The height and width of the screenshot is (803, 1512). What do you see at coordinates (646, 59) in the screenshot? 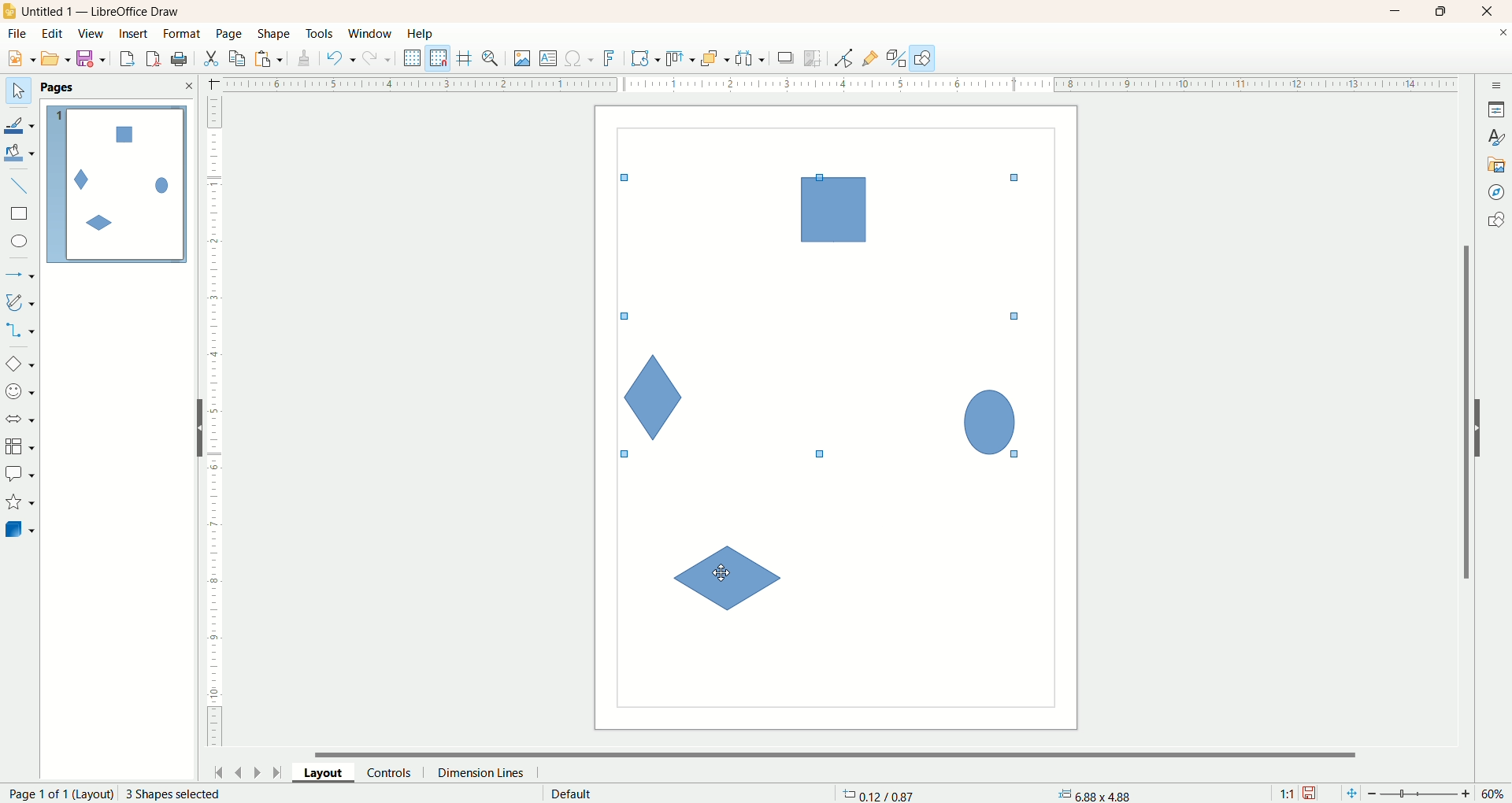
I see `transformation` at bounding box center [646, 59].